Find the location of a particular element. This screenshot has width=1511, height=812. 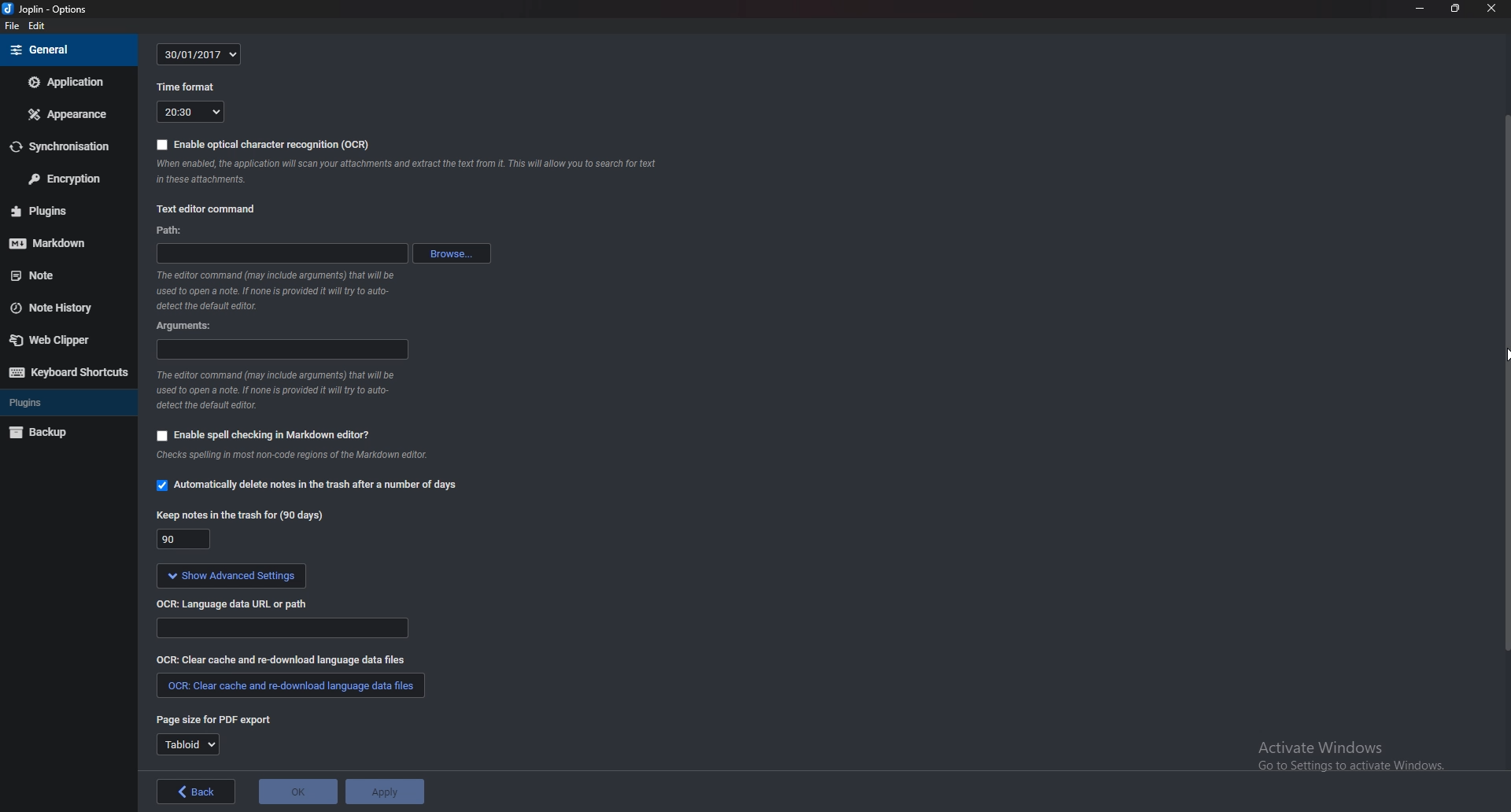

clear cache and redownload language data is located at coordinates (290, 685).